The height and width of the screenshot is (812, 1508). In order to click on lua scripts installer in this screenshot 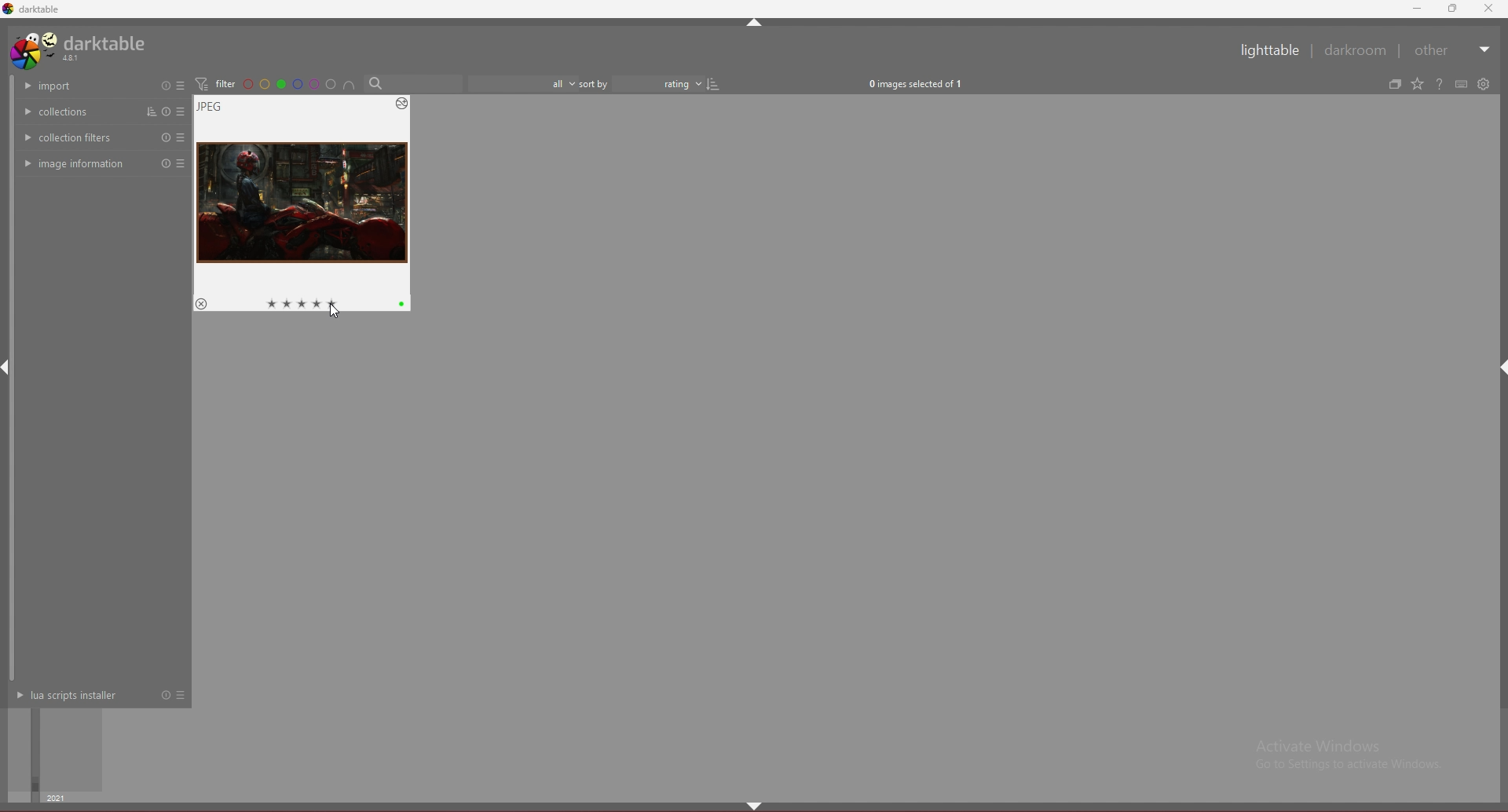, I will do `click(71, 696)`.